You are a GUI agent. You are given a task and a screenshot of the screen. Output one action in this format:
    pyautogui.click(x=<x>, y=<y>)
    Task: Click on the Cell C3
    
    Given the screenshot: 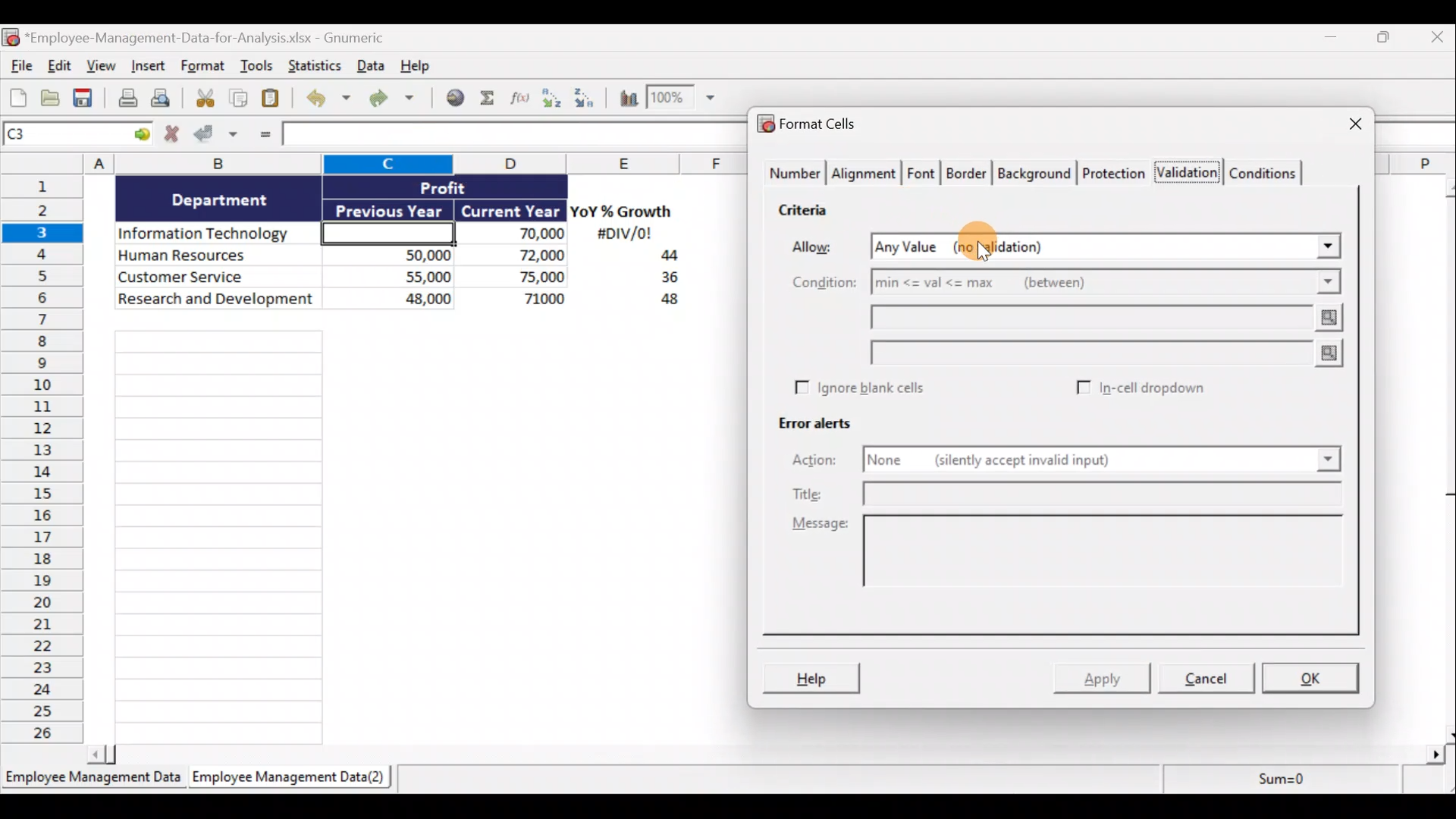 What is the action you would take?
    pyautogui.click(x=384, y=231)
    